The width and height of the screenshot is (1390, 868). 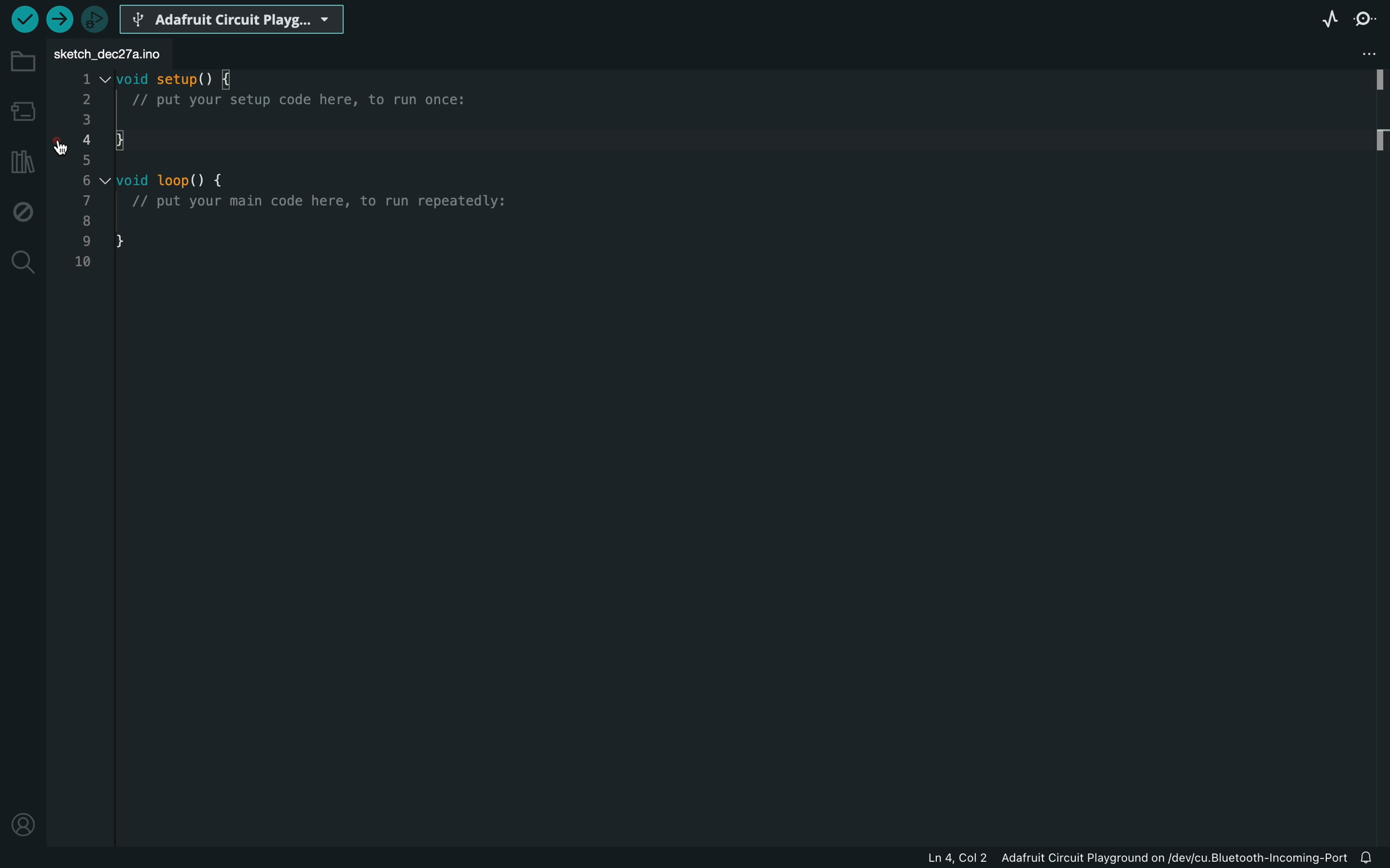 What do you see at coordinates (1138, 861) in the screenshot?
I see `file information` at bounding box center [1138, 861].